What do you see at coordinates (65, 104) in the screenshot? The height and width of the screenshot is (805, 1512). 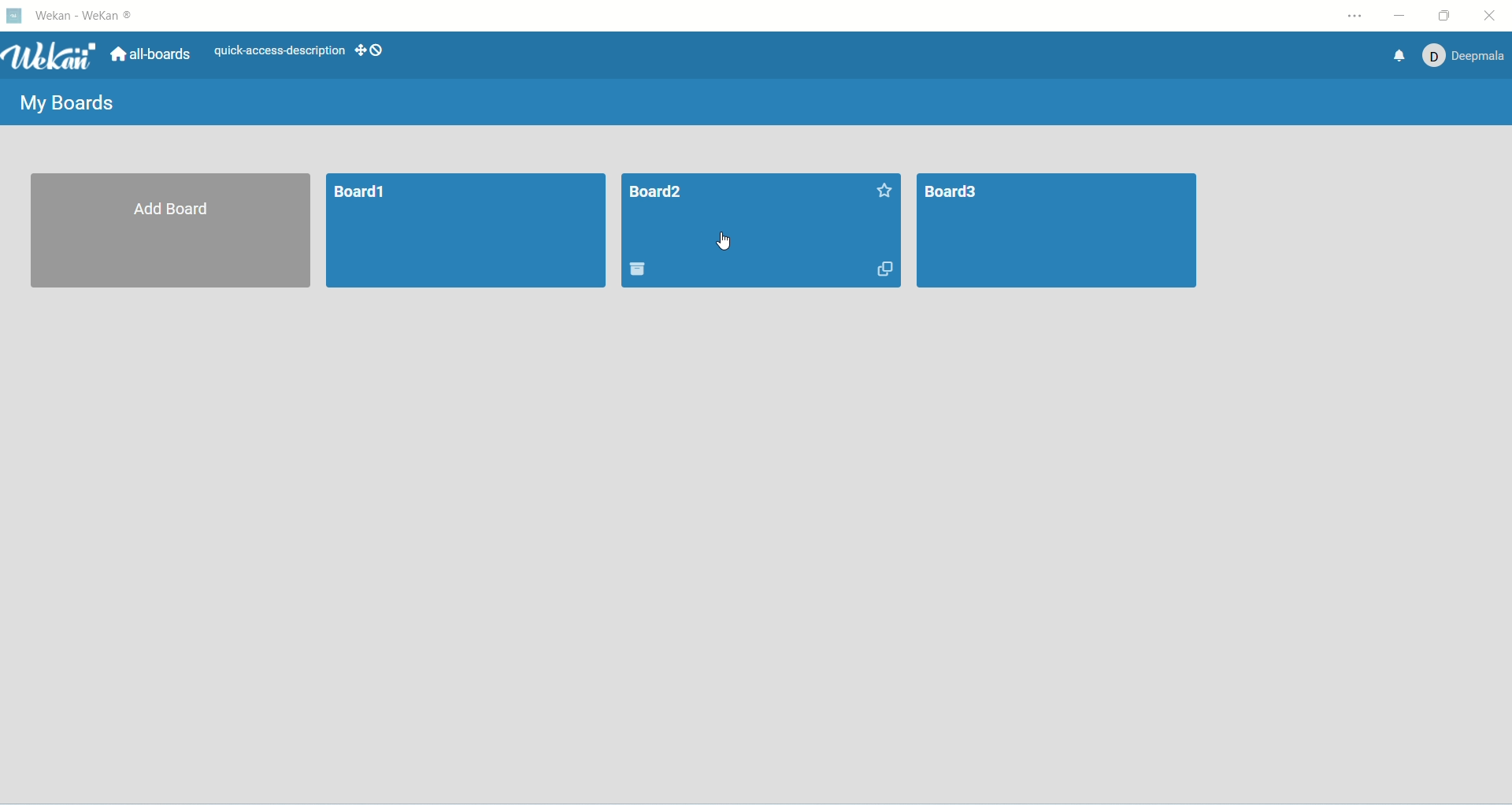 I see `my boards` at bounding box center [65, 104].